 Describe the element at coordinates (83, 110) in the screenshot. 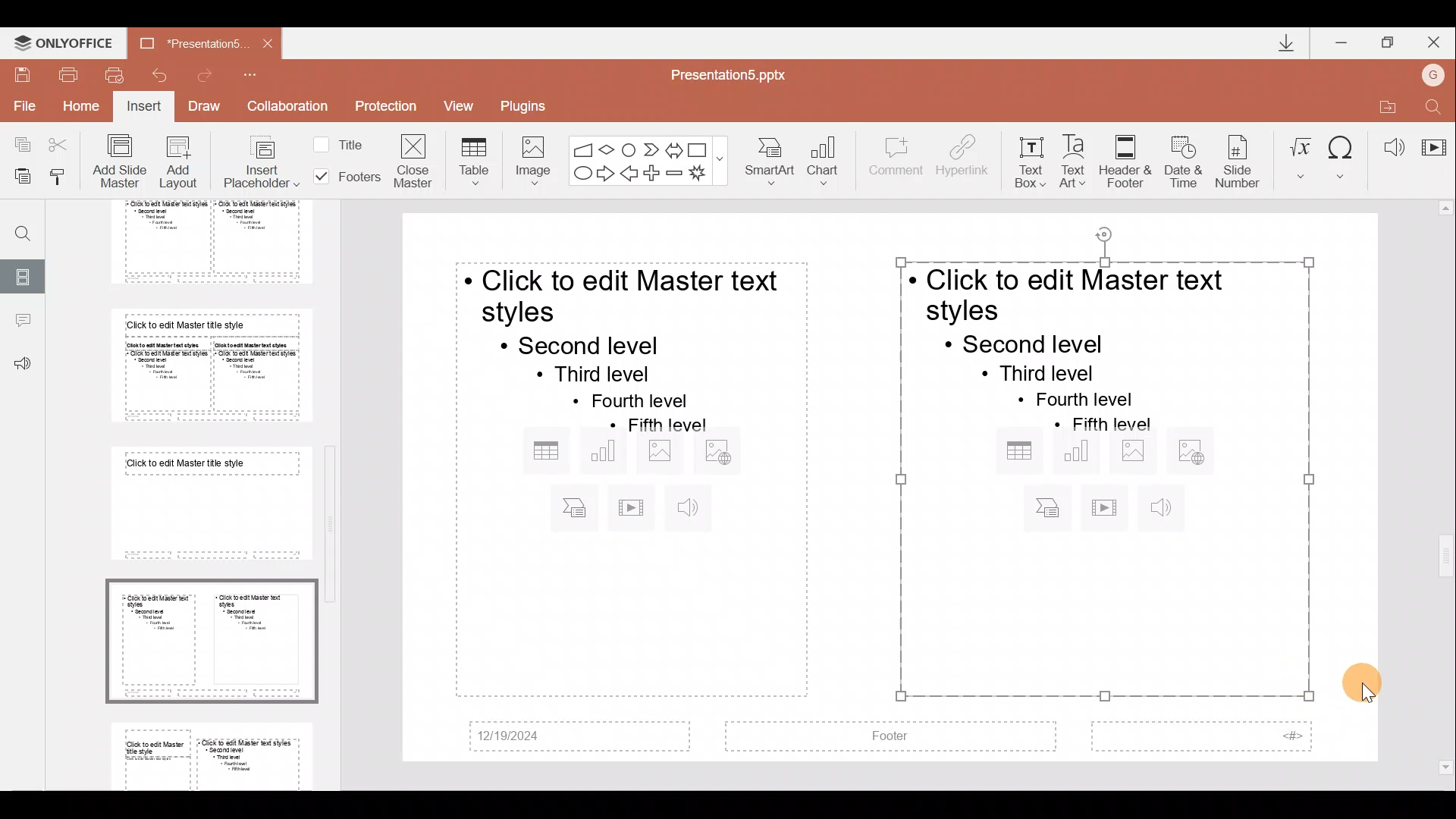

I see `Home` at that location.